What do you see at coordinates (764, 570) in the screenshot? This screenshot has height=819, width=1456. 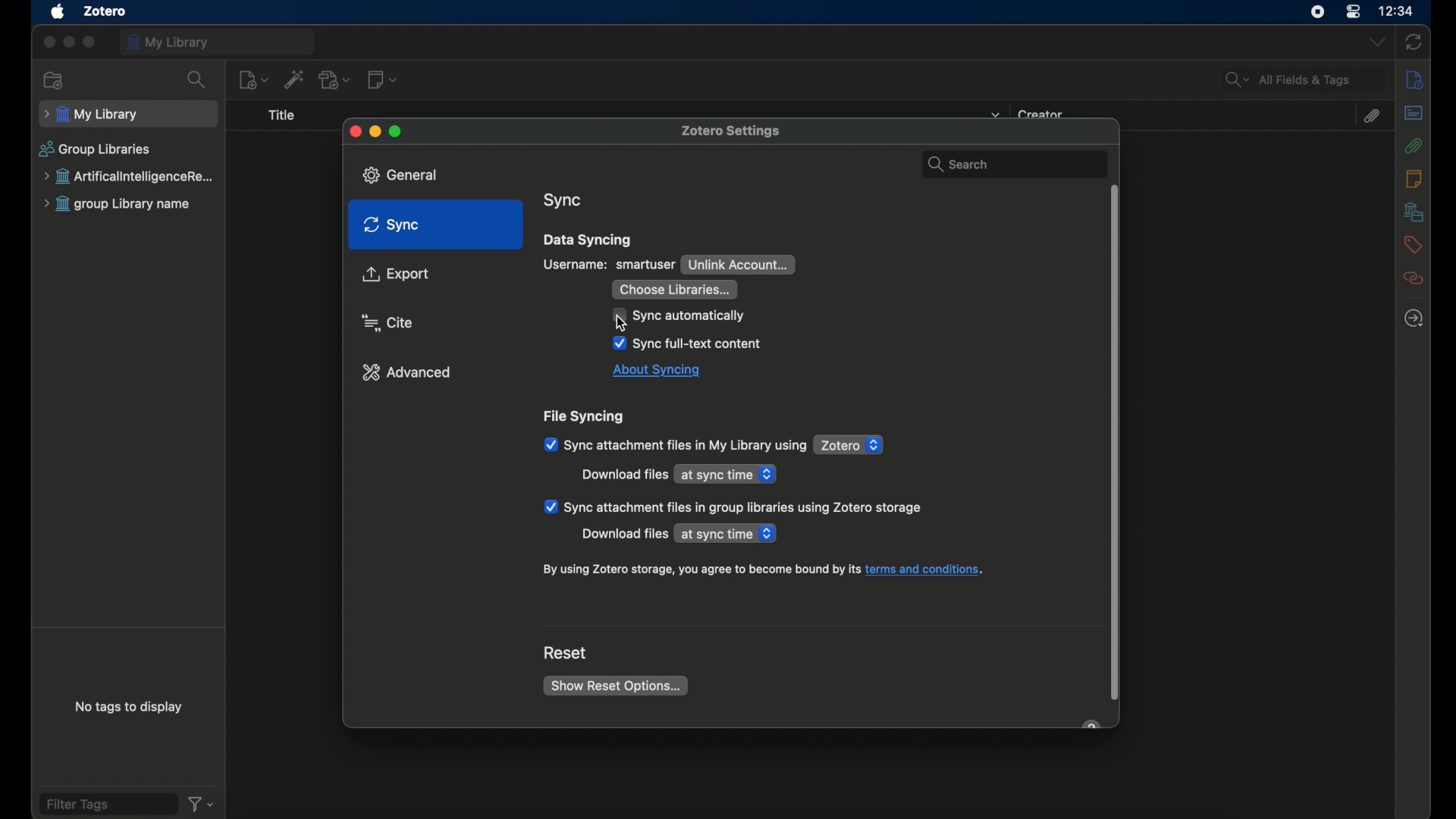 I see `terms and conditions` at bounding box center [764, 570].